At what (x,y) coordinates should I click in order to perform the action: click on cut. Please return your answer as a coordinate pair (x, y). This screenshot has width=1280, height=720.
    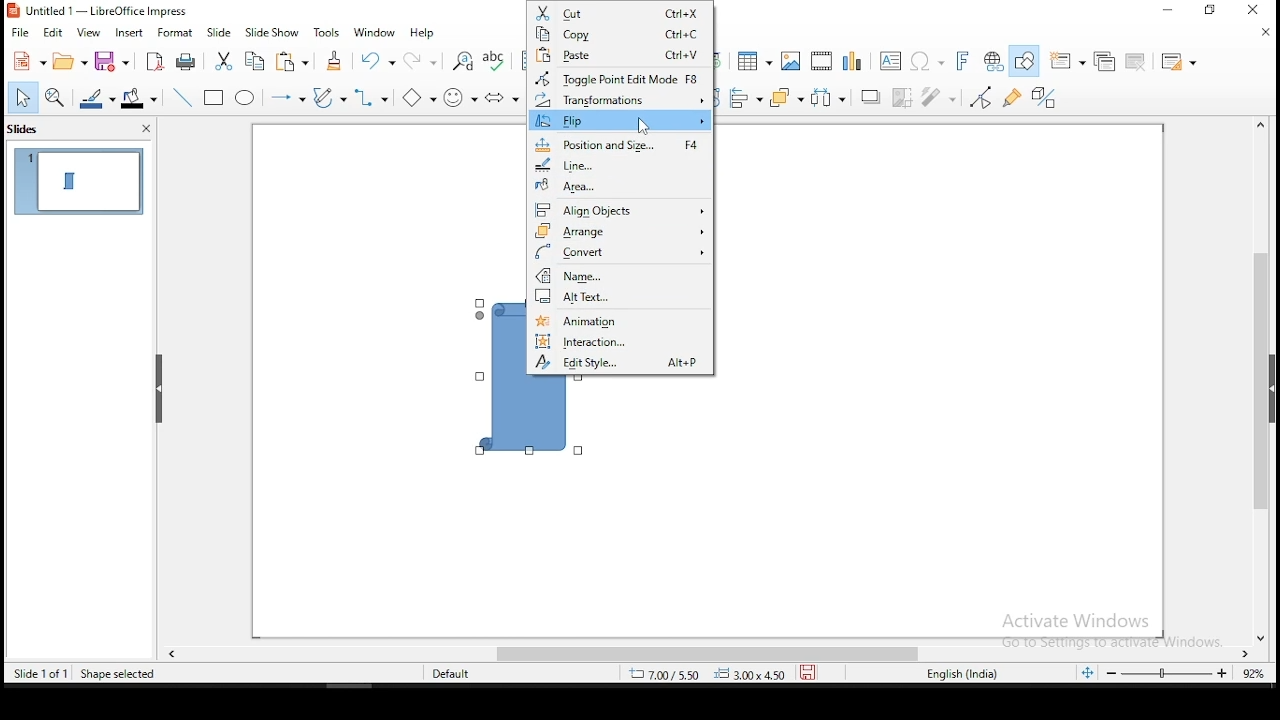
    Looking at the image, I should click on (224, 60).